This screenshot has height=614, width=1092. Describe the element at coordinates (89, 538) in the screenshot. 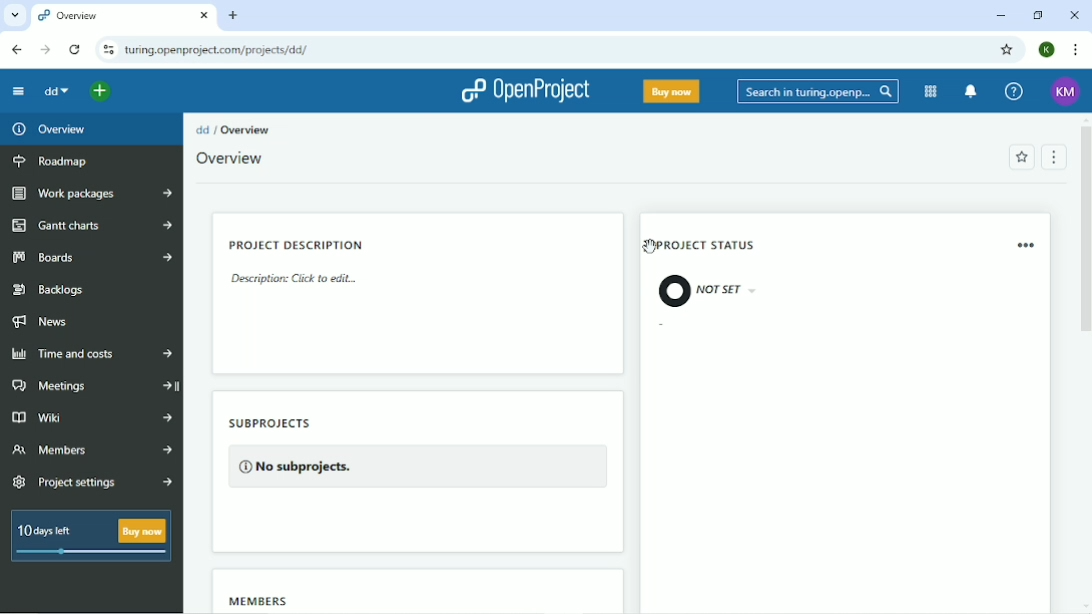

I see `10 days left` at that location.